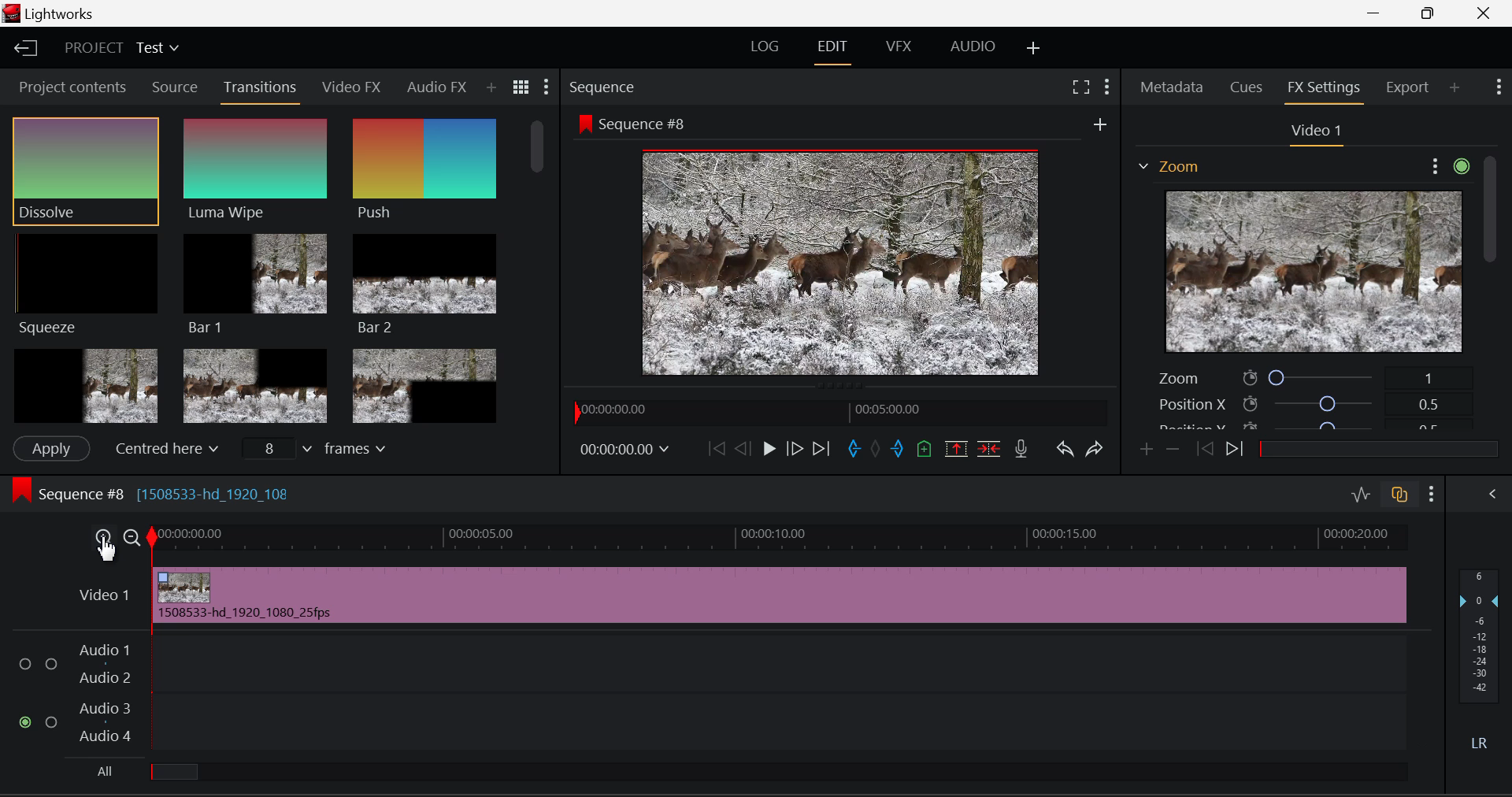 The width and height of the screenshot is (1512, 797). Describe the element at coordinates (1377, 13) in the screenshot. I see `Restore Down` at that location.